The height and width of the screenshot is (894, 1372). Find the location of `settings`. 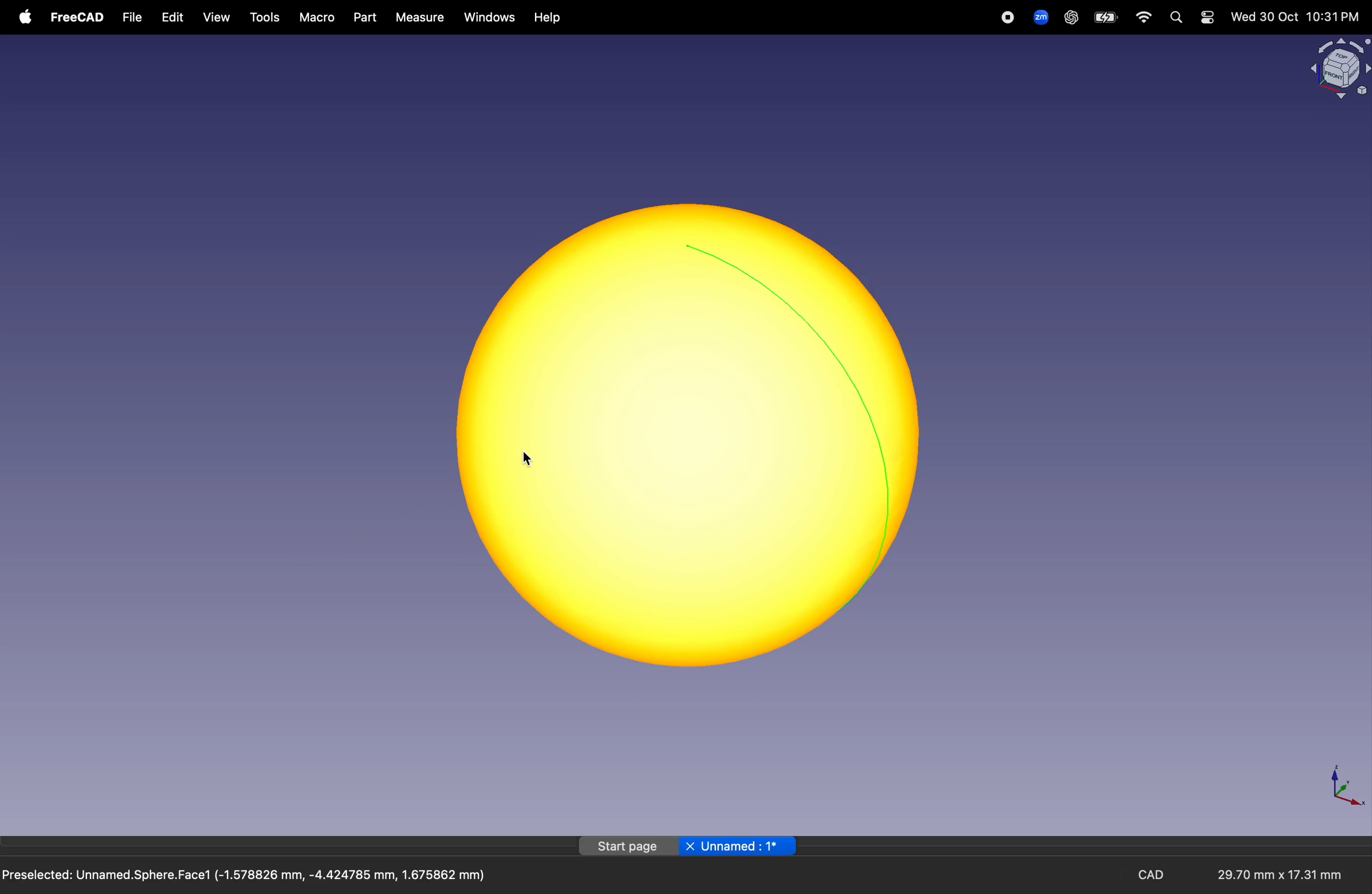

settings is located at coordinates (1207, 17).